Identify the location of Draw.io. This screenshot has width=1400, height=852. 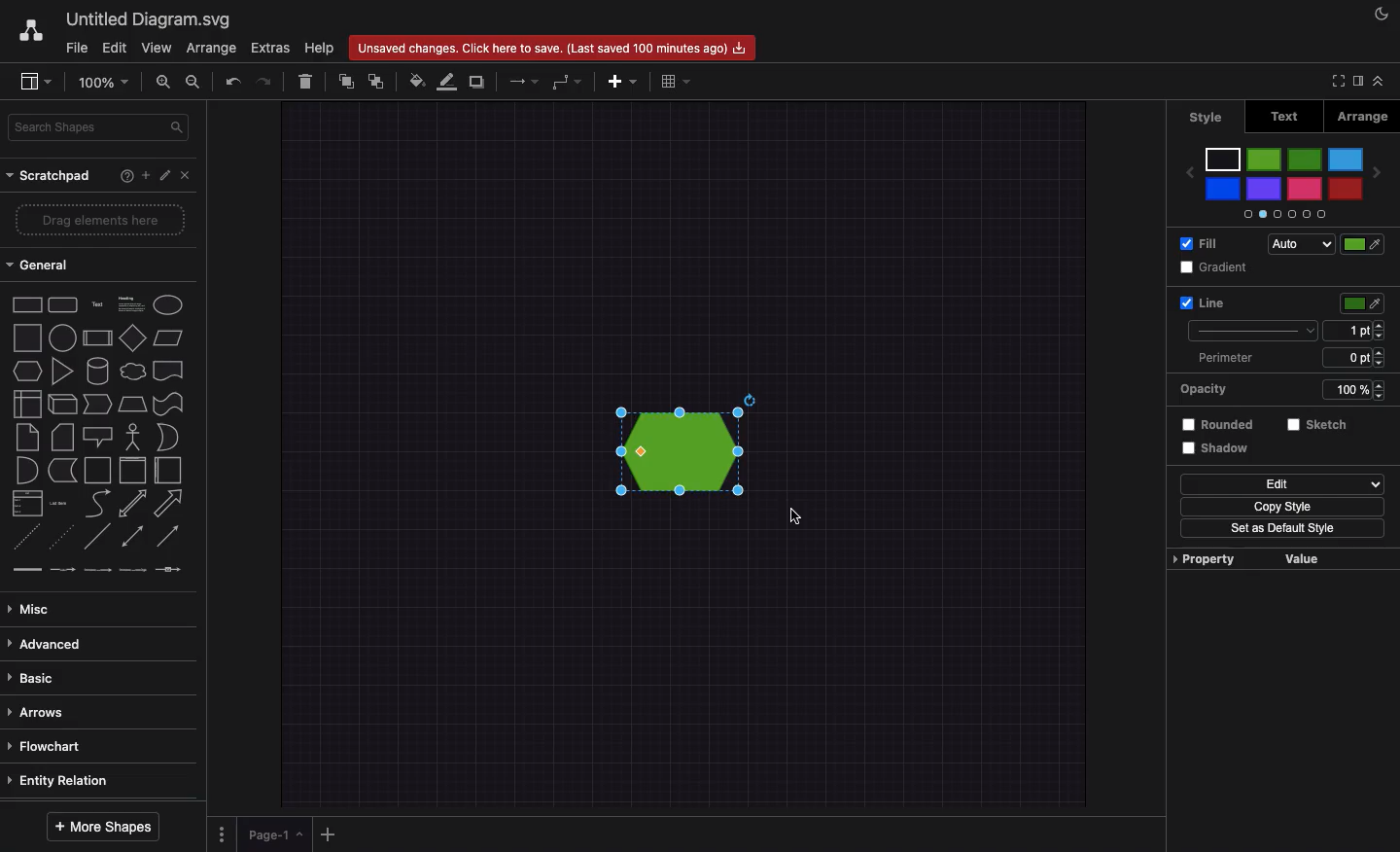
(30, 34).